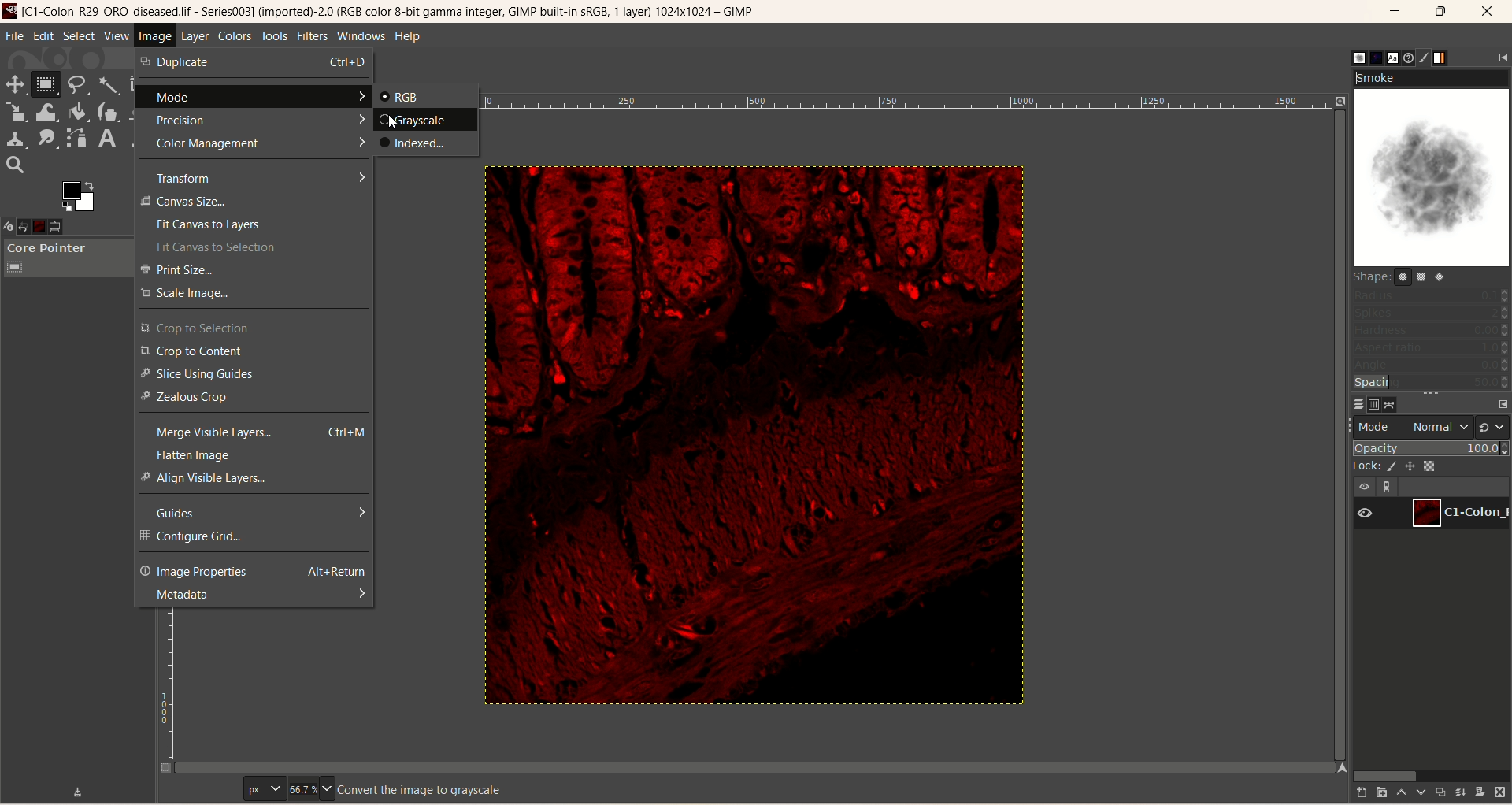  I want to click on crop to content, so click(252, 351).